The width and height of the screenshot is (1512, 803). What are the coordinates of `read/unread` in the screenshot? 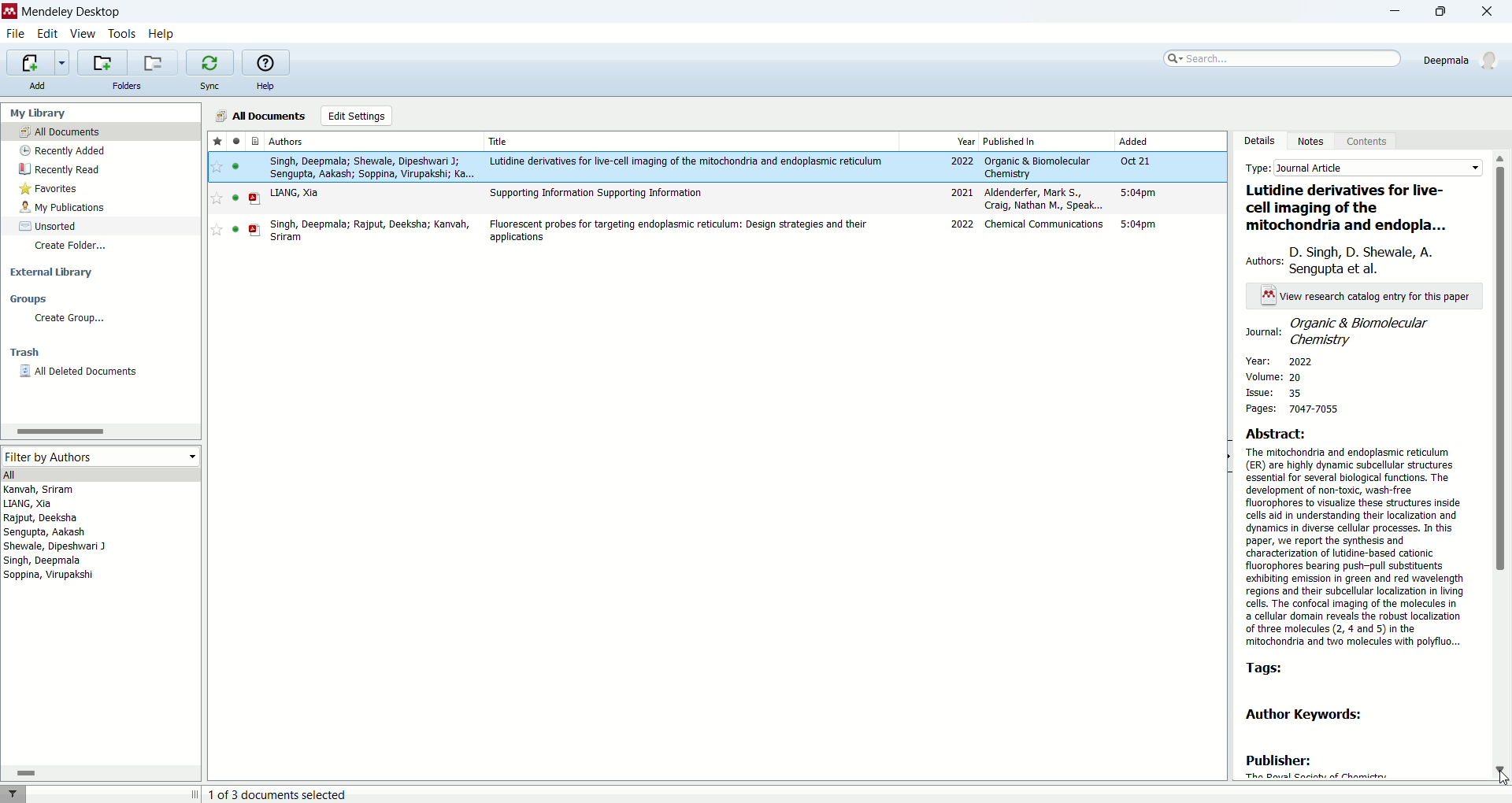 It's located at (235, 140).